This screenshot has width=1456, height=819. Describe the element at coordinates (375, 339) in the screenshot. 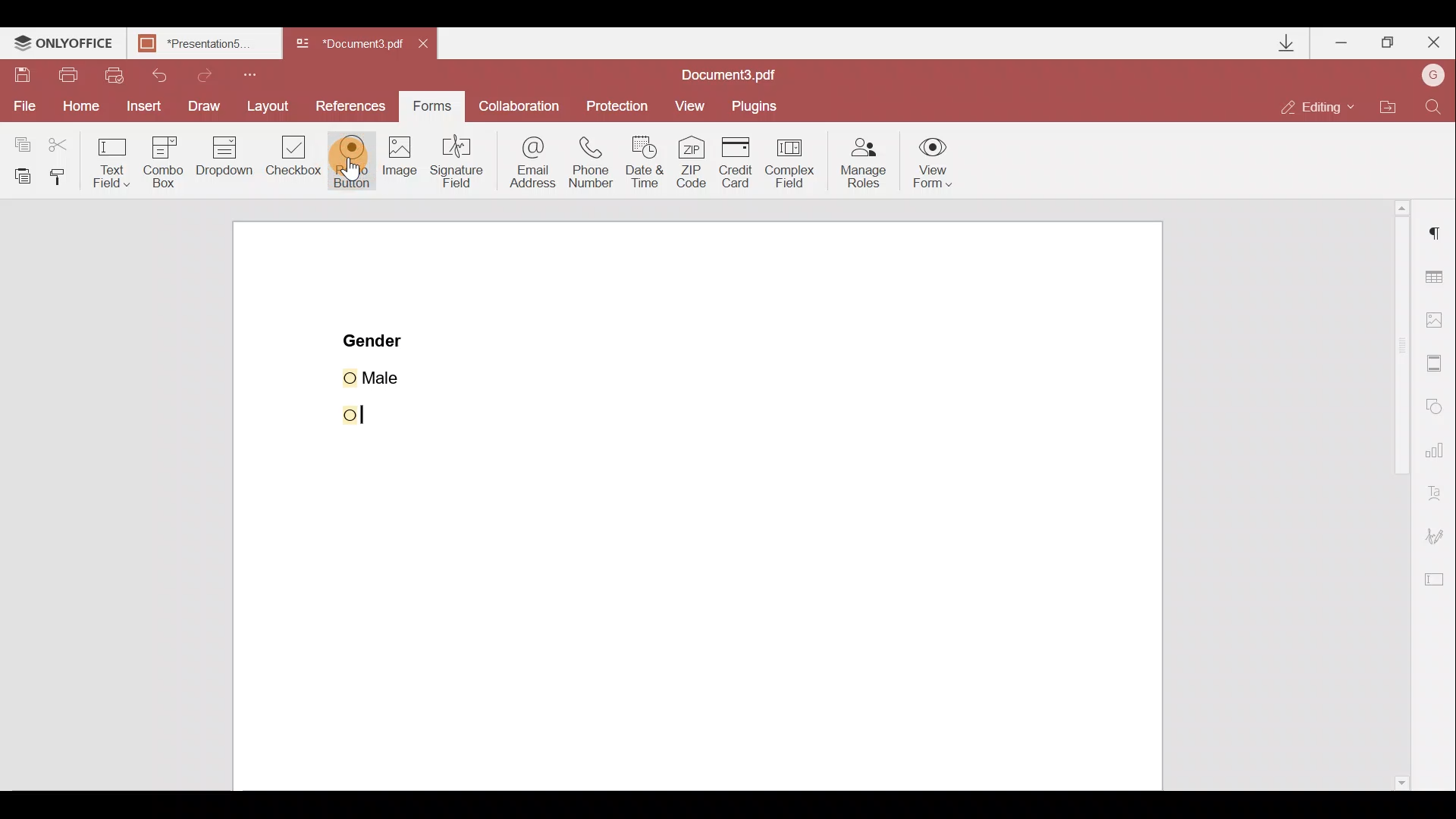

I see `Gender` at that location.